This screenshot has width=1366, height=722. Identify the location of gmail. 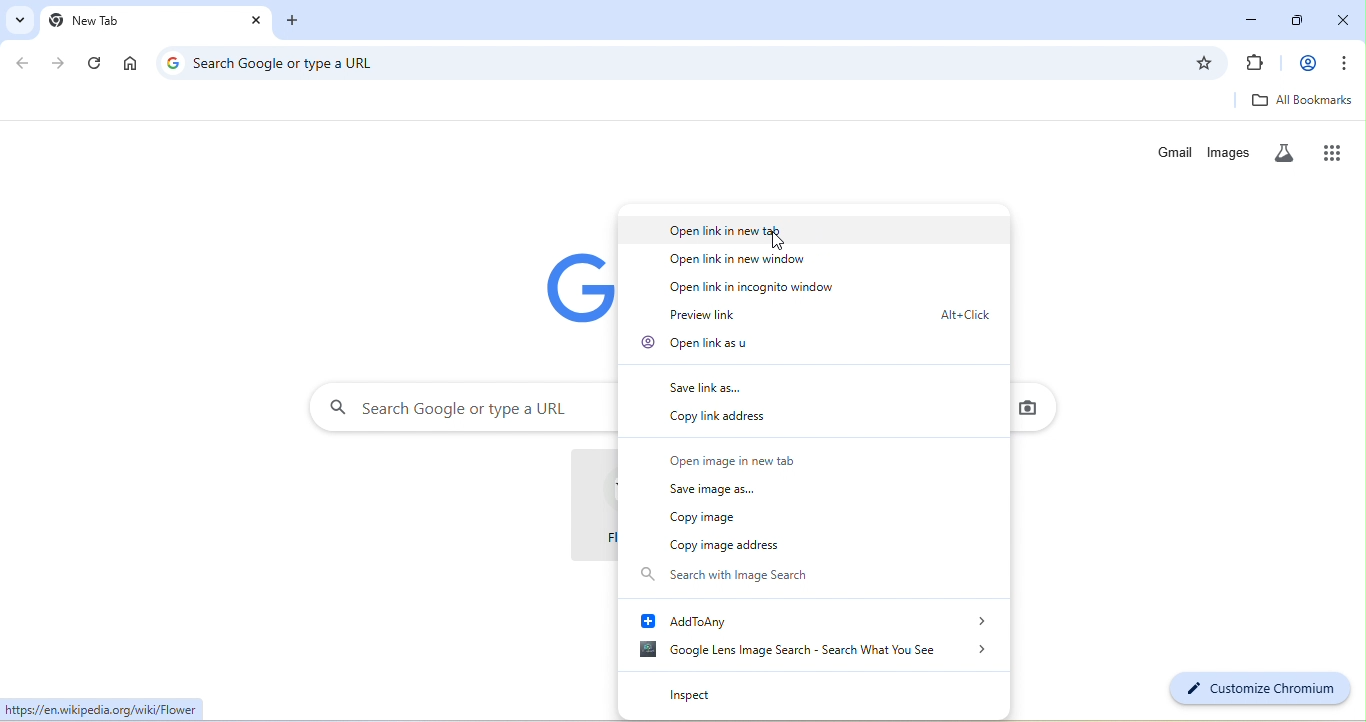
(1175, 152).